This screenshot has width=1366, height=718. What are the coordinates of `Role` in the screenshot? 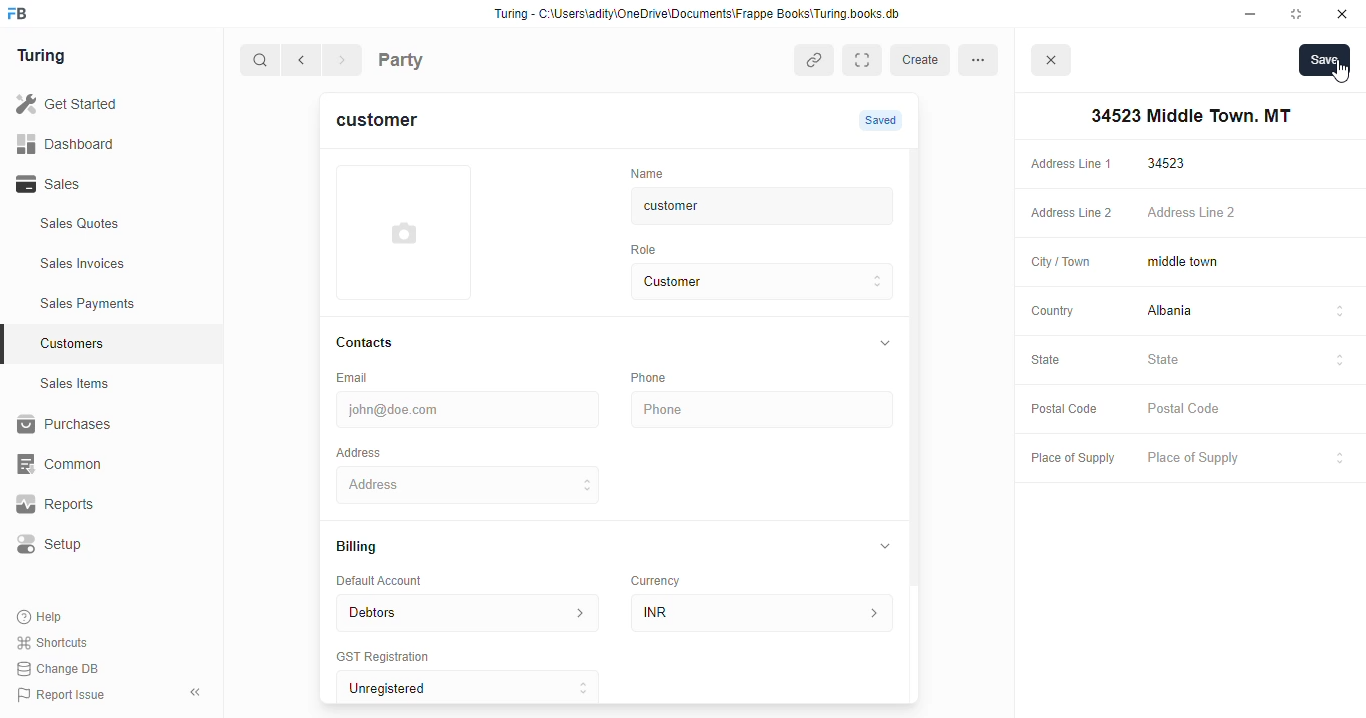 It's located at (650, 249).